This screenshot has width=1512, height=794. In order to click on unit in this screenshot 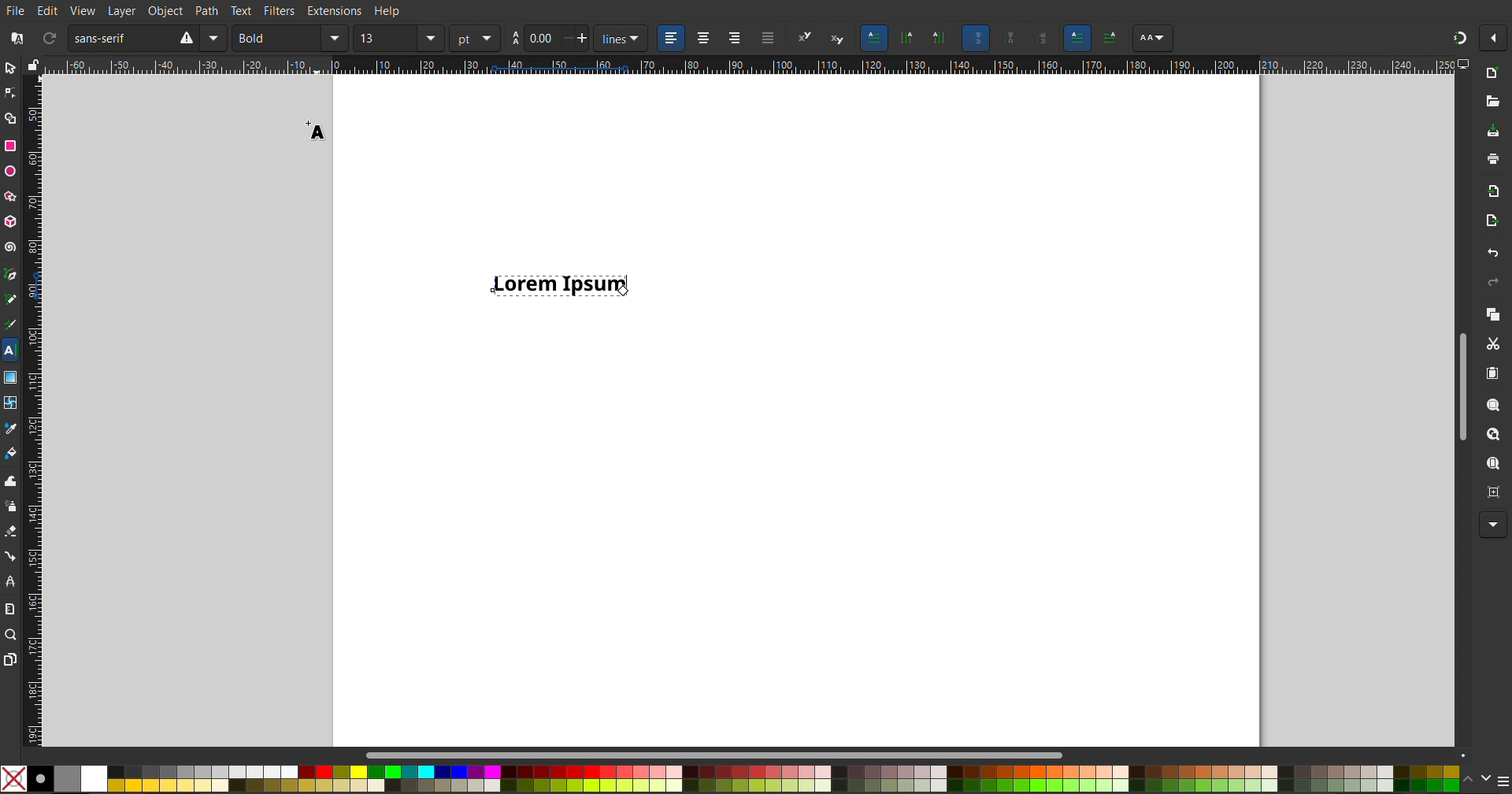, I will do `click(474, 39)`.